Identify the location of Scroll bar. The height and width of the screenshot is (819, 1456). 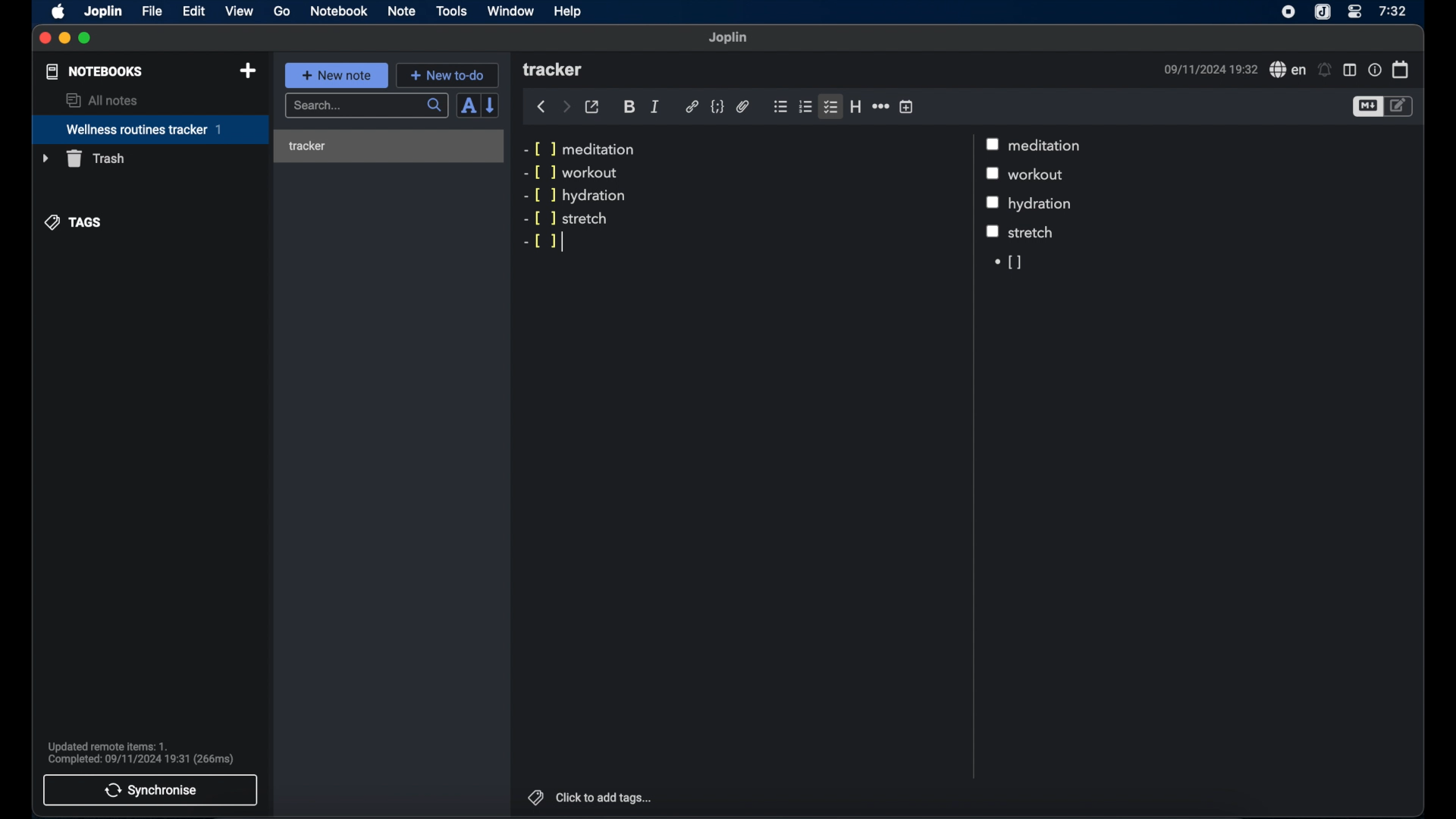
(971, 457).